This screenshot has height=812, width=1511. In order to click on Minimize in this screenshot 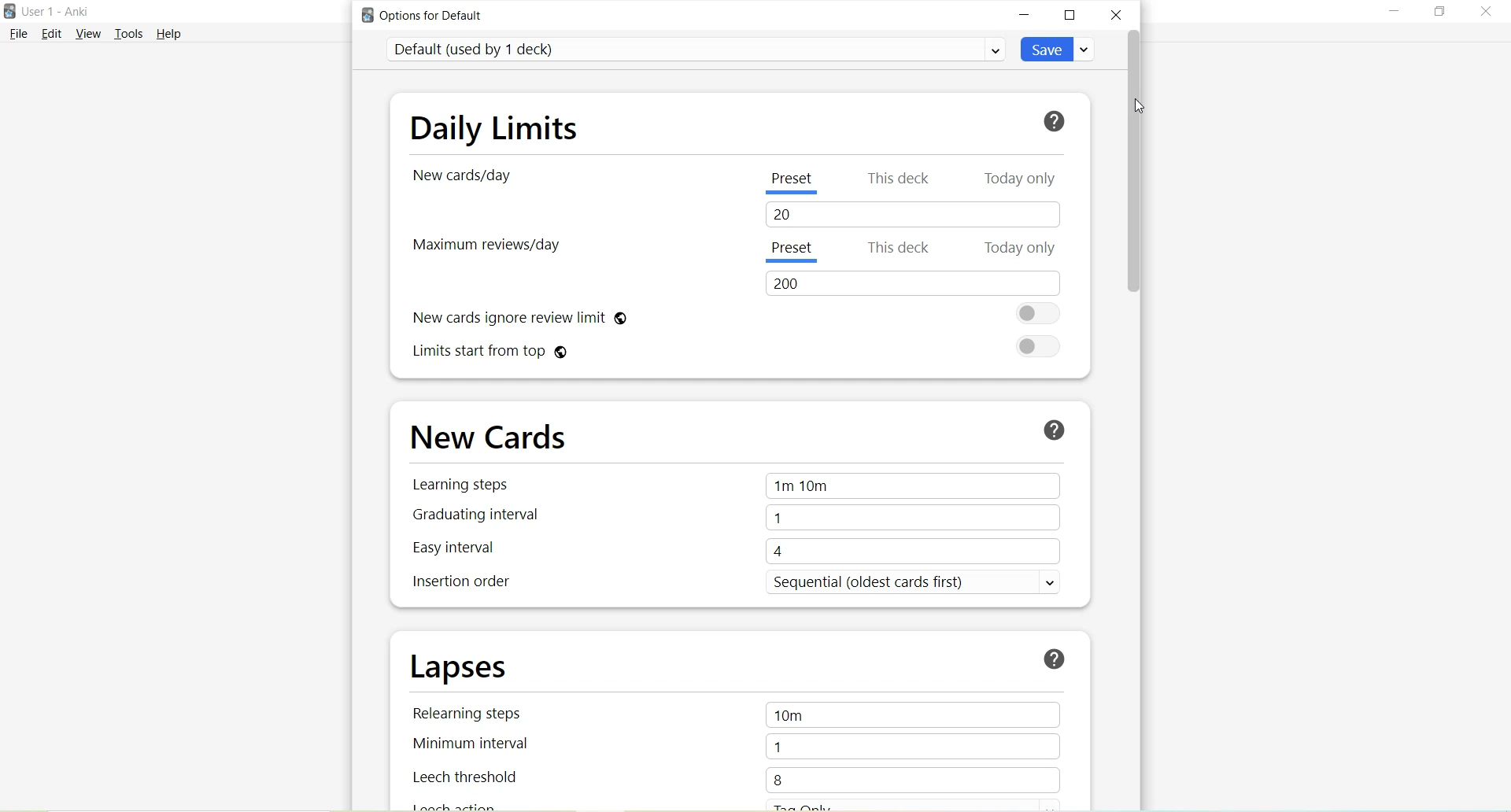, I will do `click(1395, 13)`.